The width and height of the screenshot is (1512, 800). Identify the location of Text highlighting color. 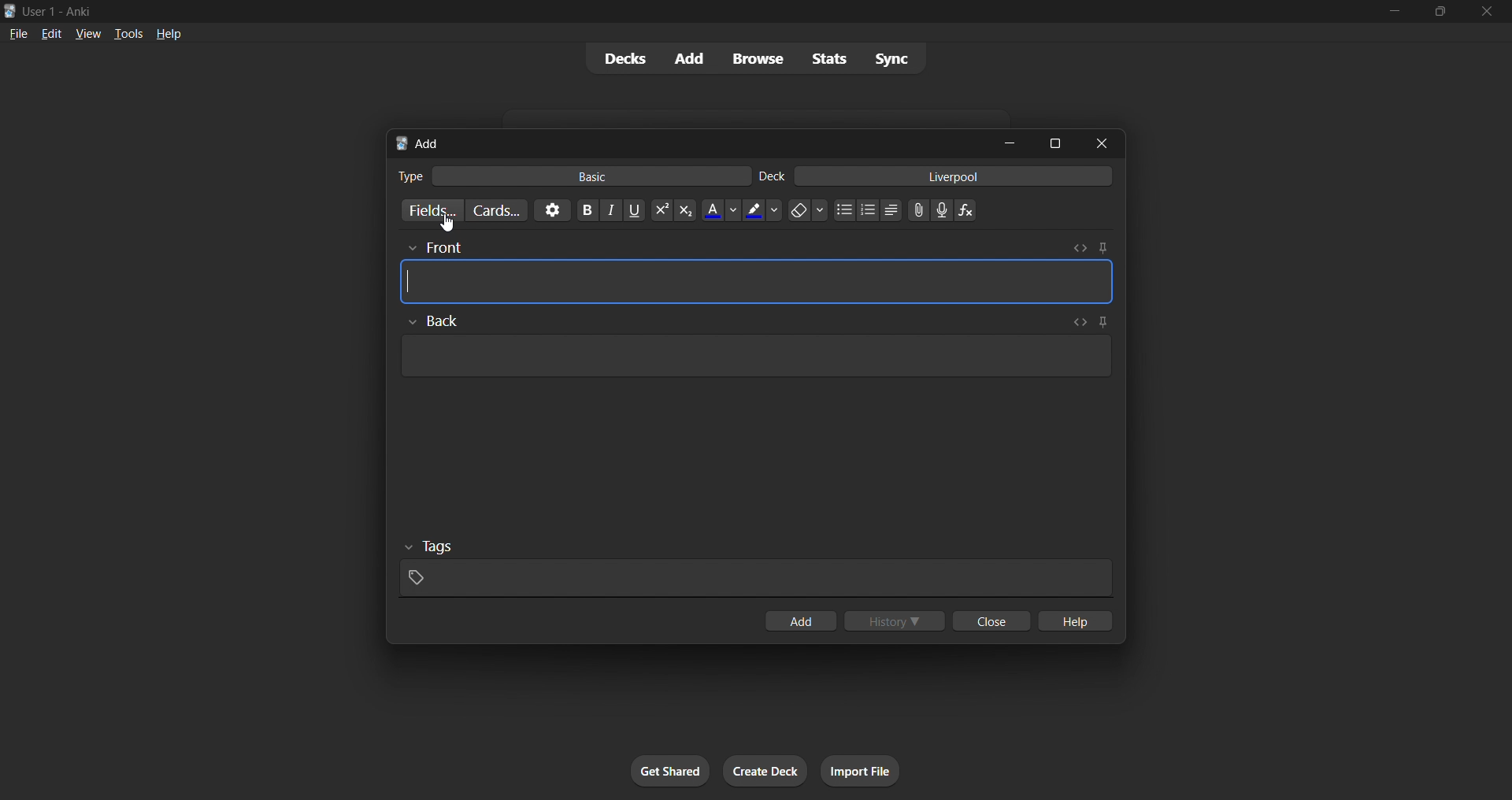
(762, 210).